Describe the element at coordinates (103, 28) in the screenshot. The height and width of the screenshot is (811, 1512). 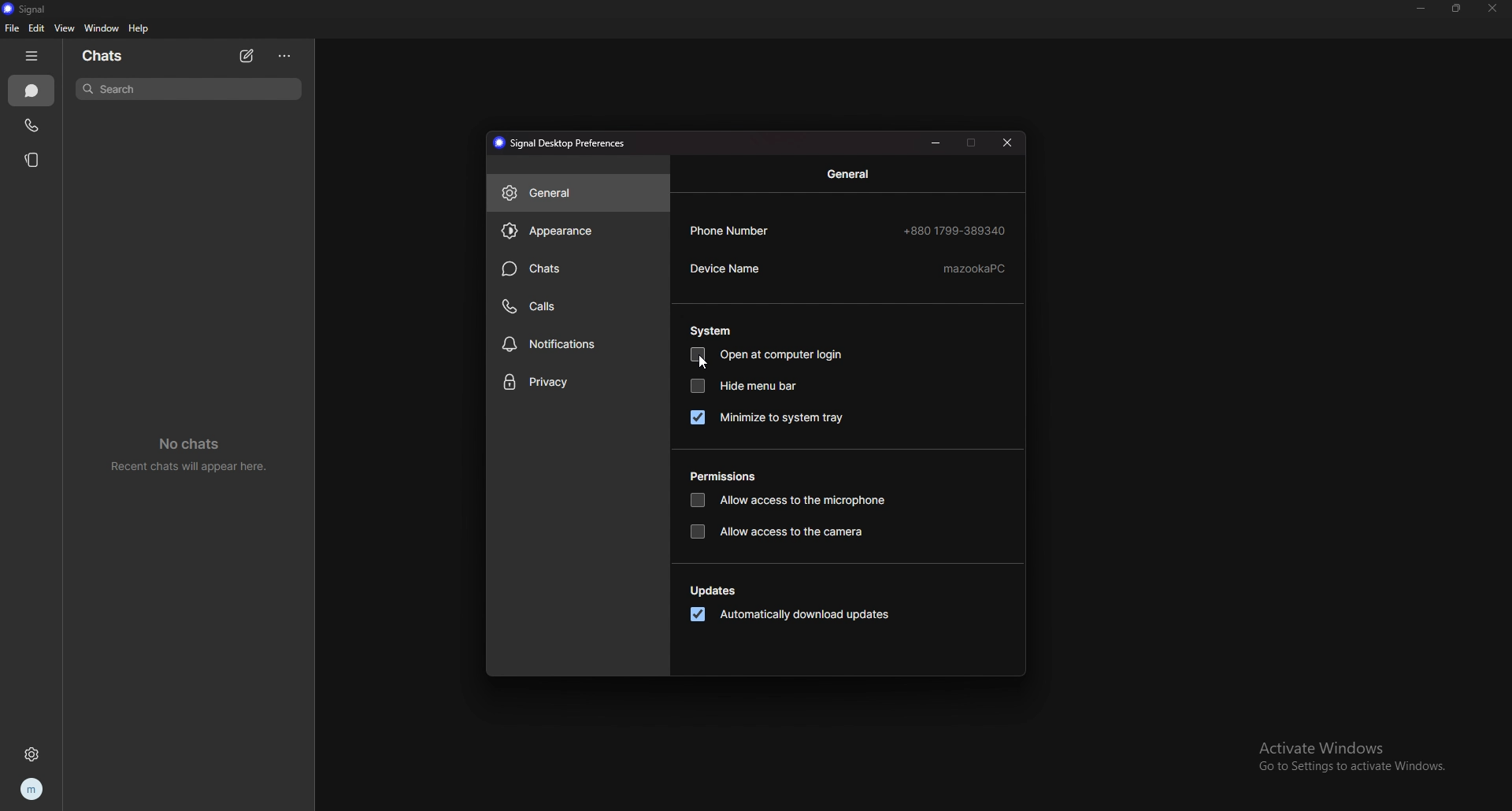
I see `window` at that location.